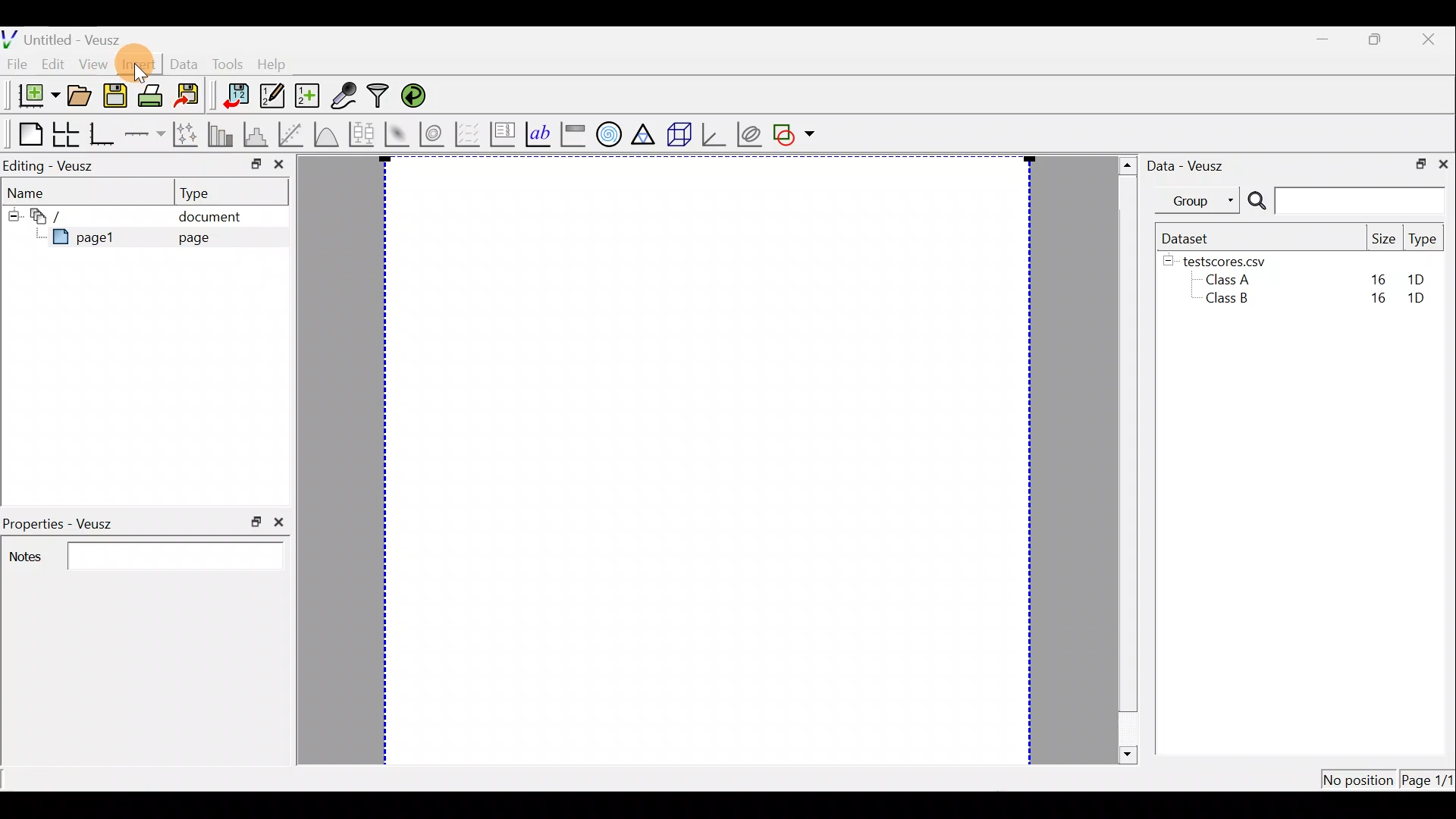 The image size is (1456, 819). What do you see at coordinates (61, 519) in the screenshot?
I see `Properties - Veusz` at bounding box center [61, 519].